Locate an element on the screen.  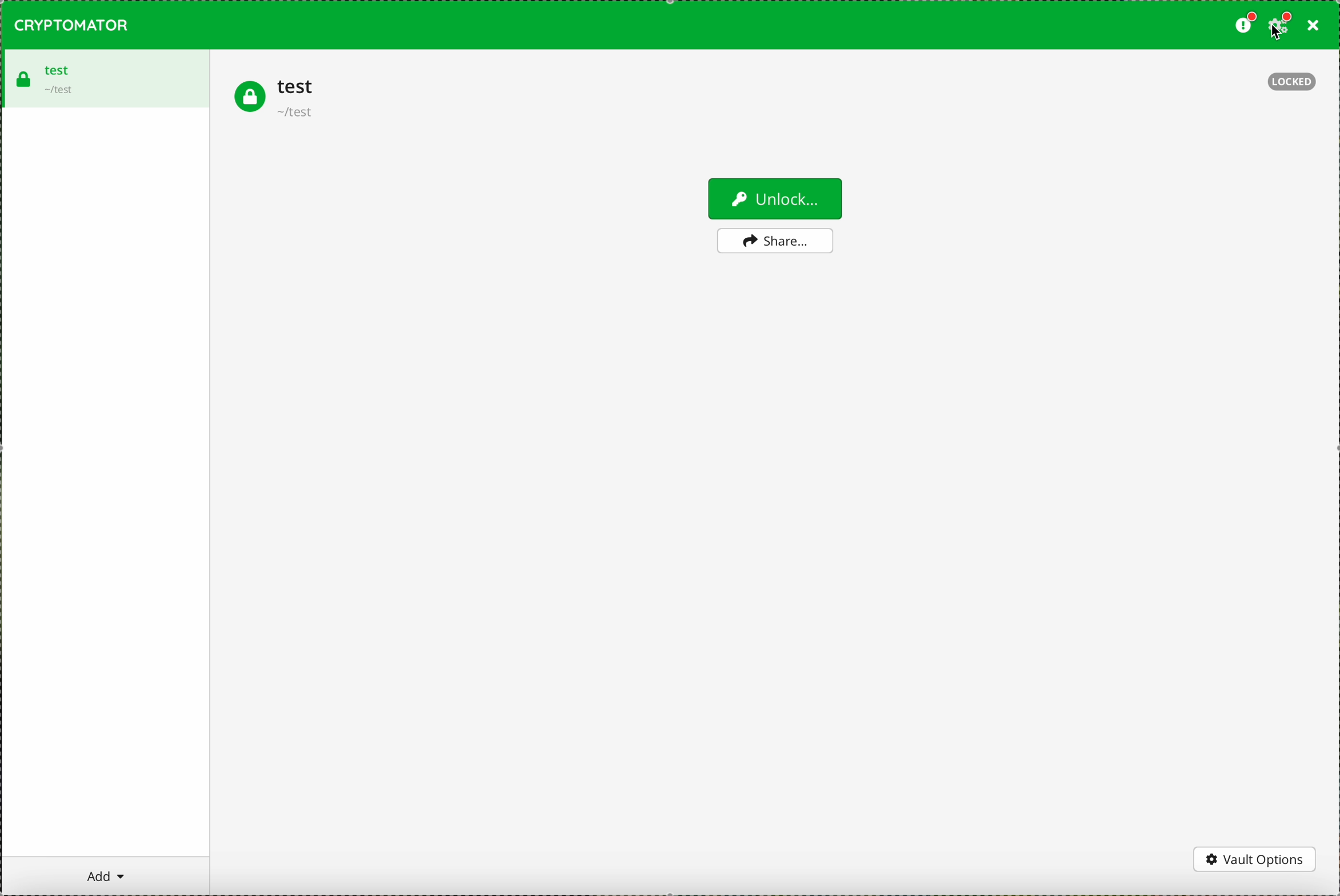
settings is located at coordinates (1280, 26).